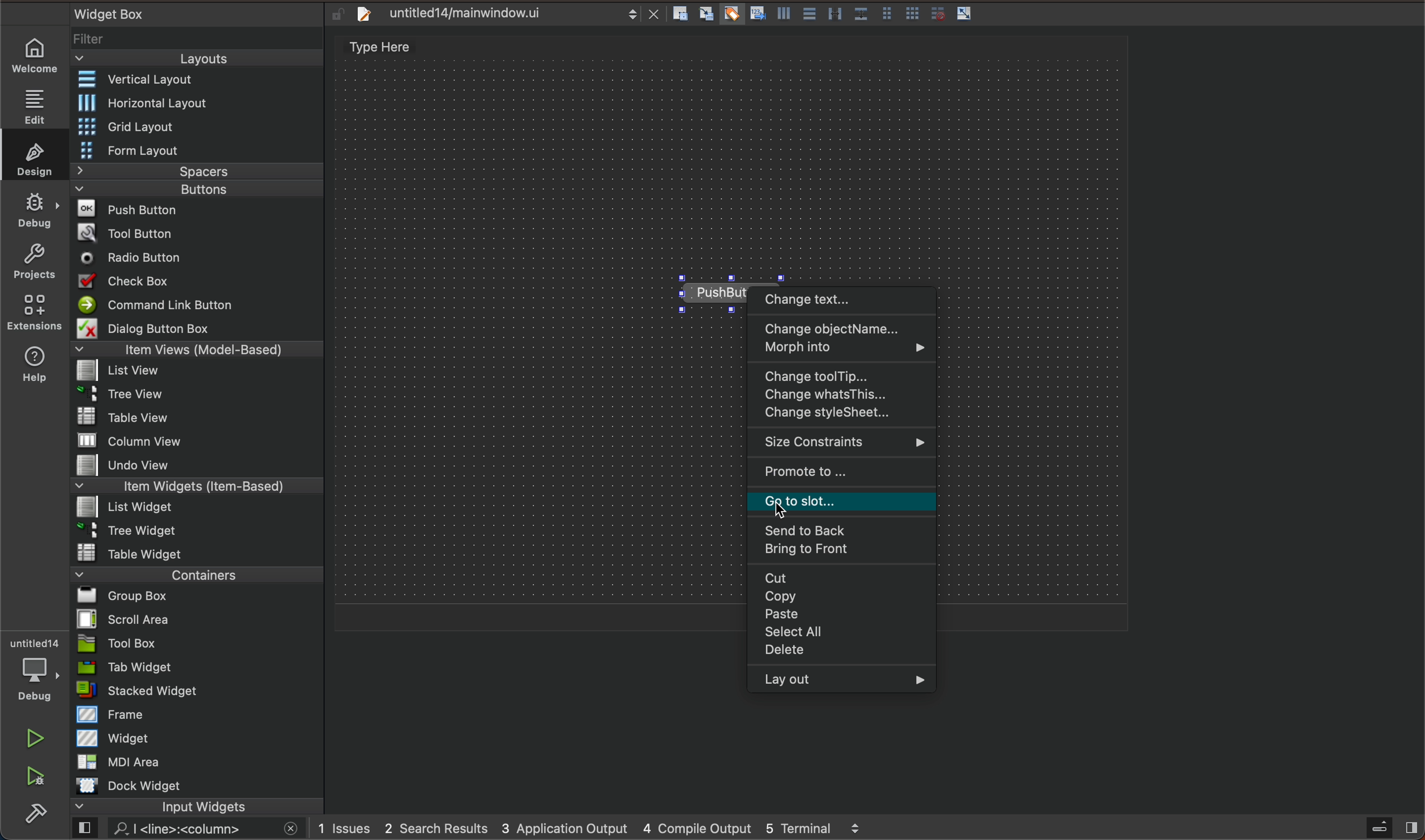 This screenshot has height=840, width=1425. What do you see at coordinates (1386, 828) in the screenshot?
I see `sidebar` at bounding box center [1386, 828].